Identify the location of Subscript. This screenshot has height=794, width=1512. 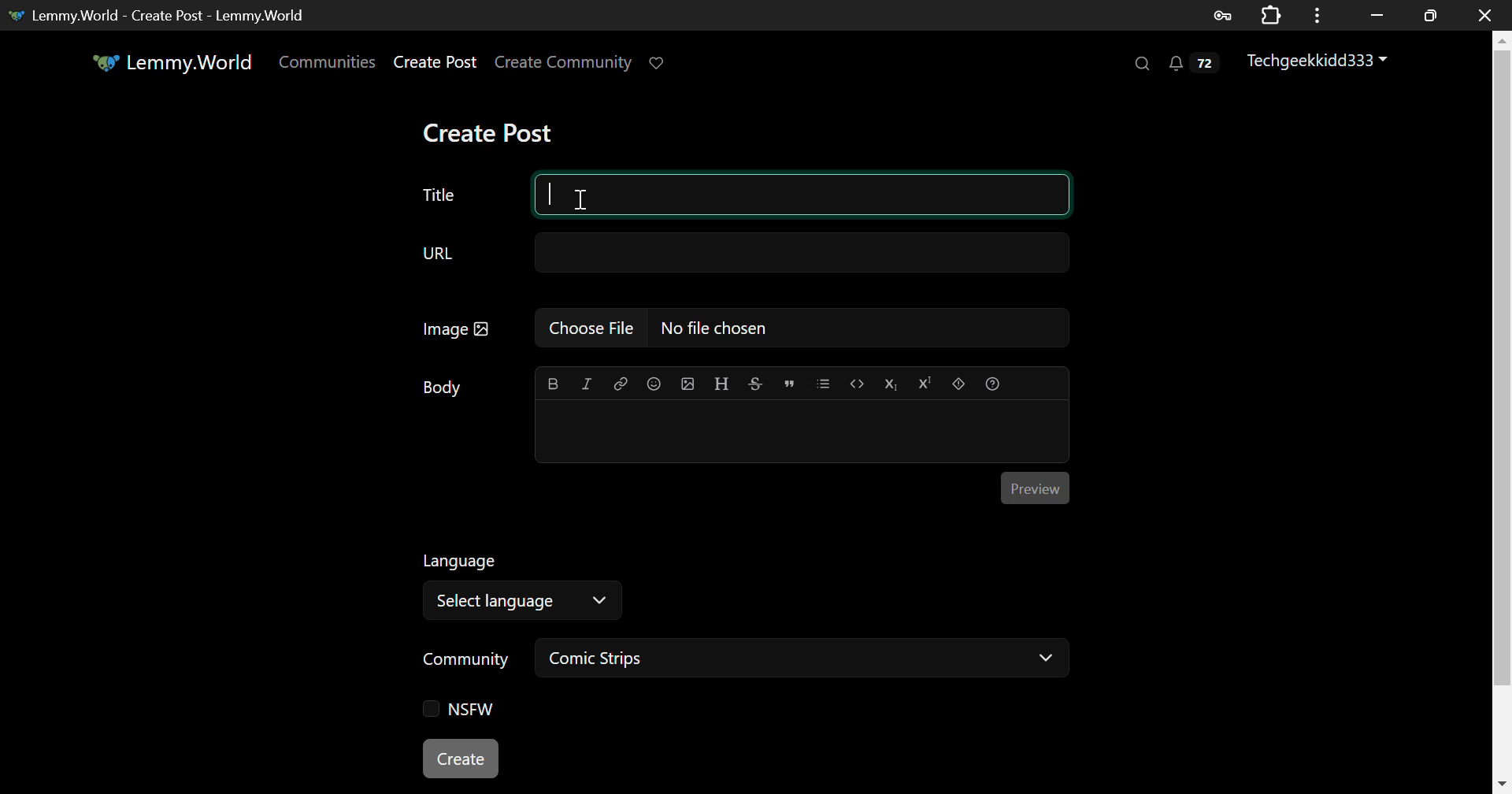
(893, 384).